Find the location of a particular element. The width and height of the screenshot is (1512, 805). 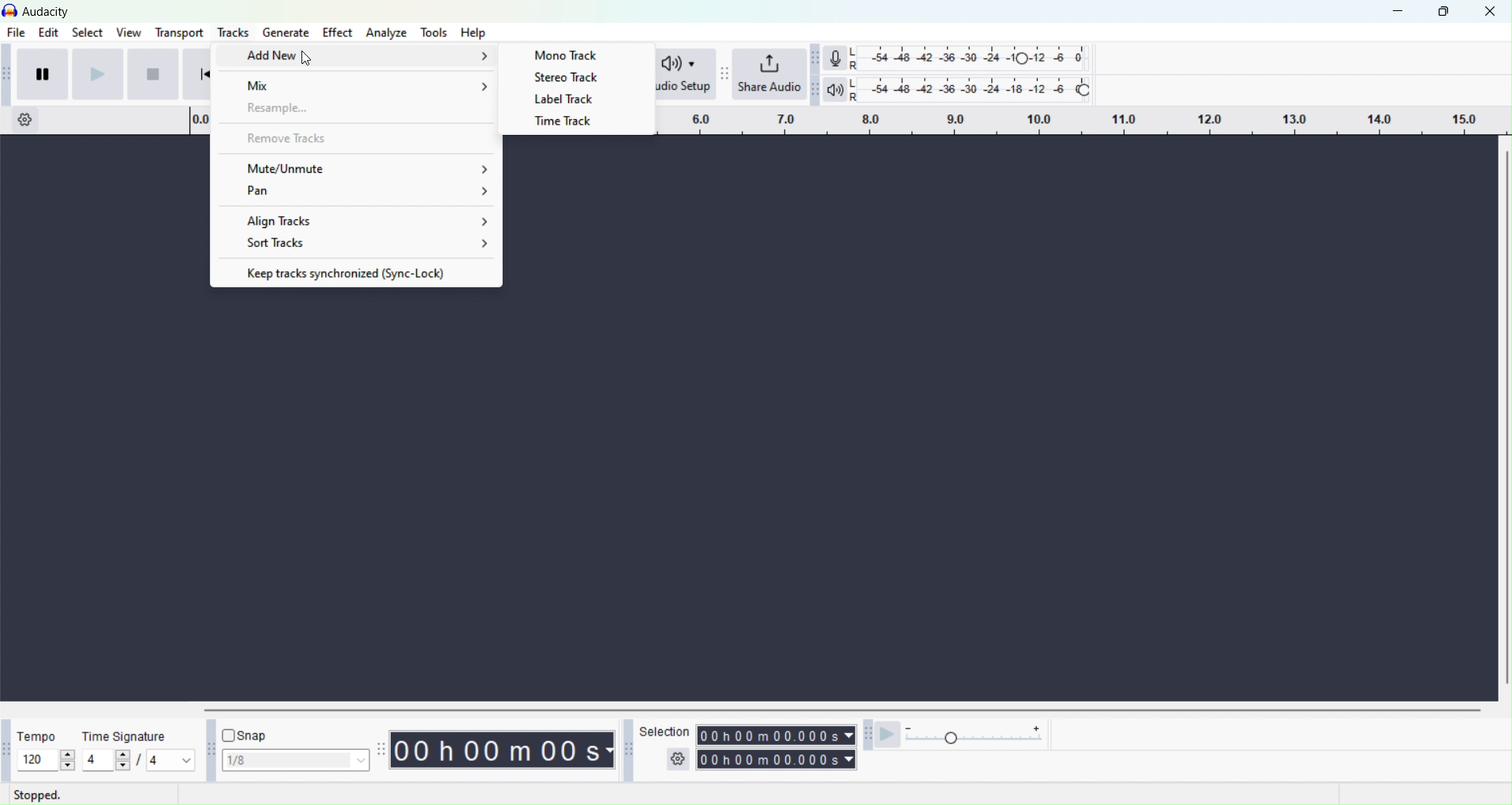

edit/current tempo is located at coordinates (32, 760).